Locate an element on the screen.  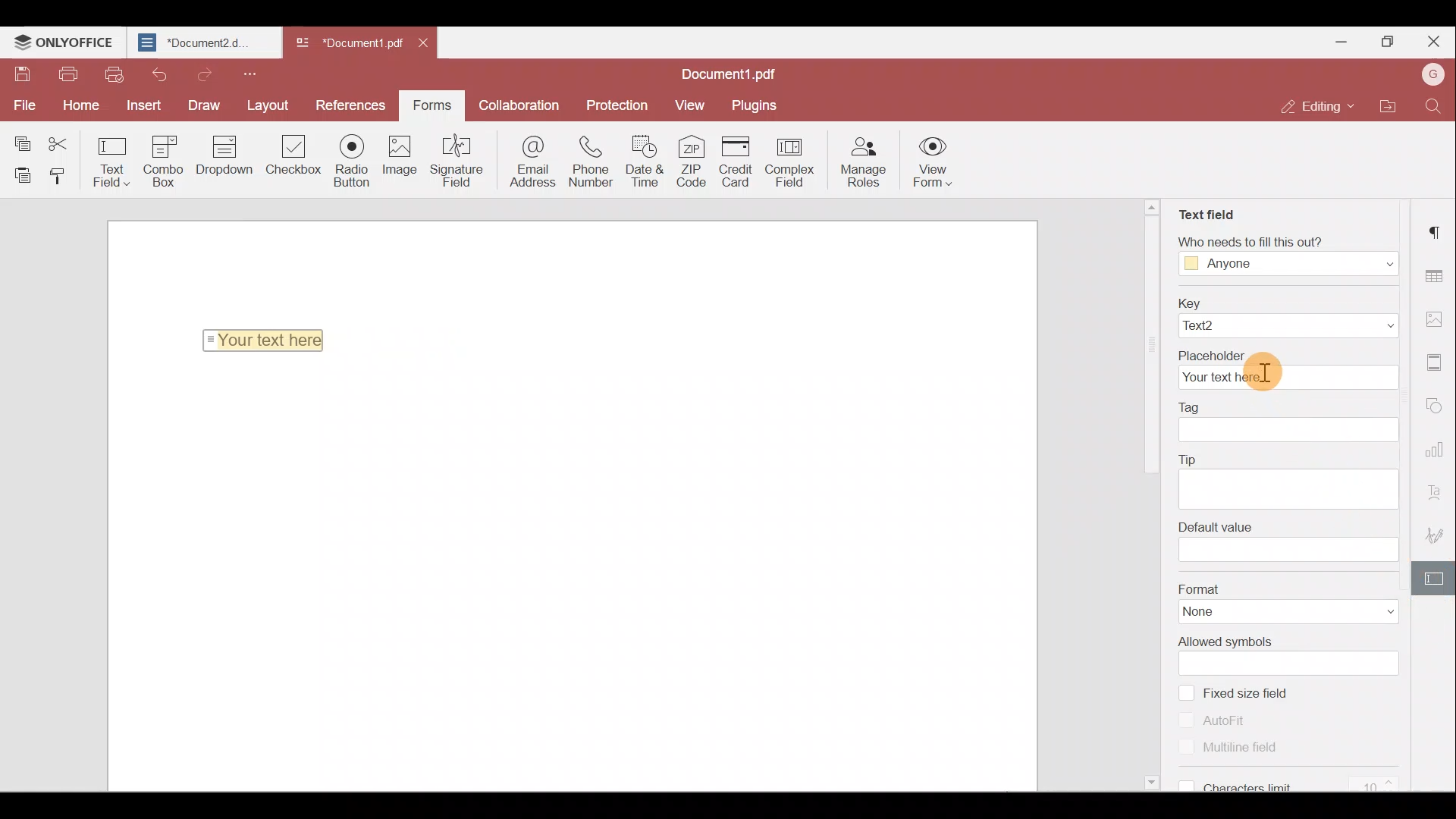
Format is located at coordinates (1288, 588).